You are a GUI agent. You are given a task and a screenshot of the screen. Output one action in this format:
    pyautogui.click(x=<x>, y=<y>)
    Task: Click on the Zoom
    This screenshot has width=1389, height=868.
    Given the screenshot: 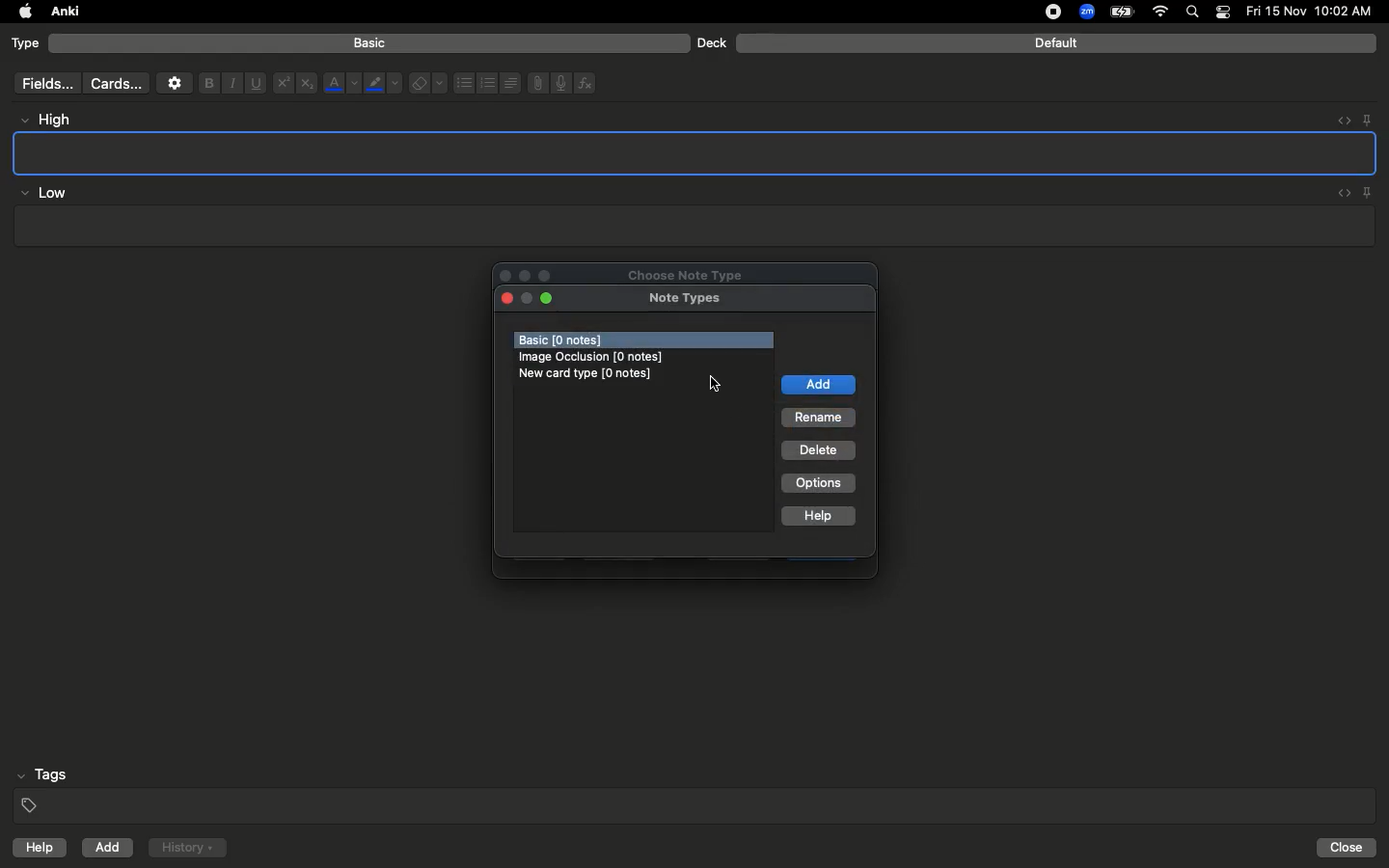 What is the action you would take?
    pyautogui.click(x=1085, y=13)
    